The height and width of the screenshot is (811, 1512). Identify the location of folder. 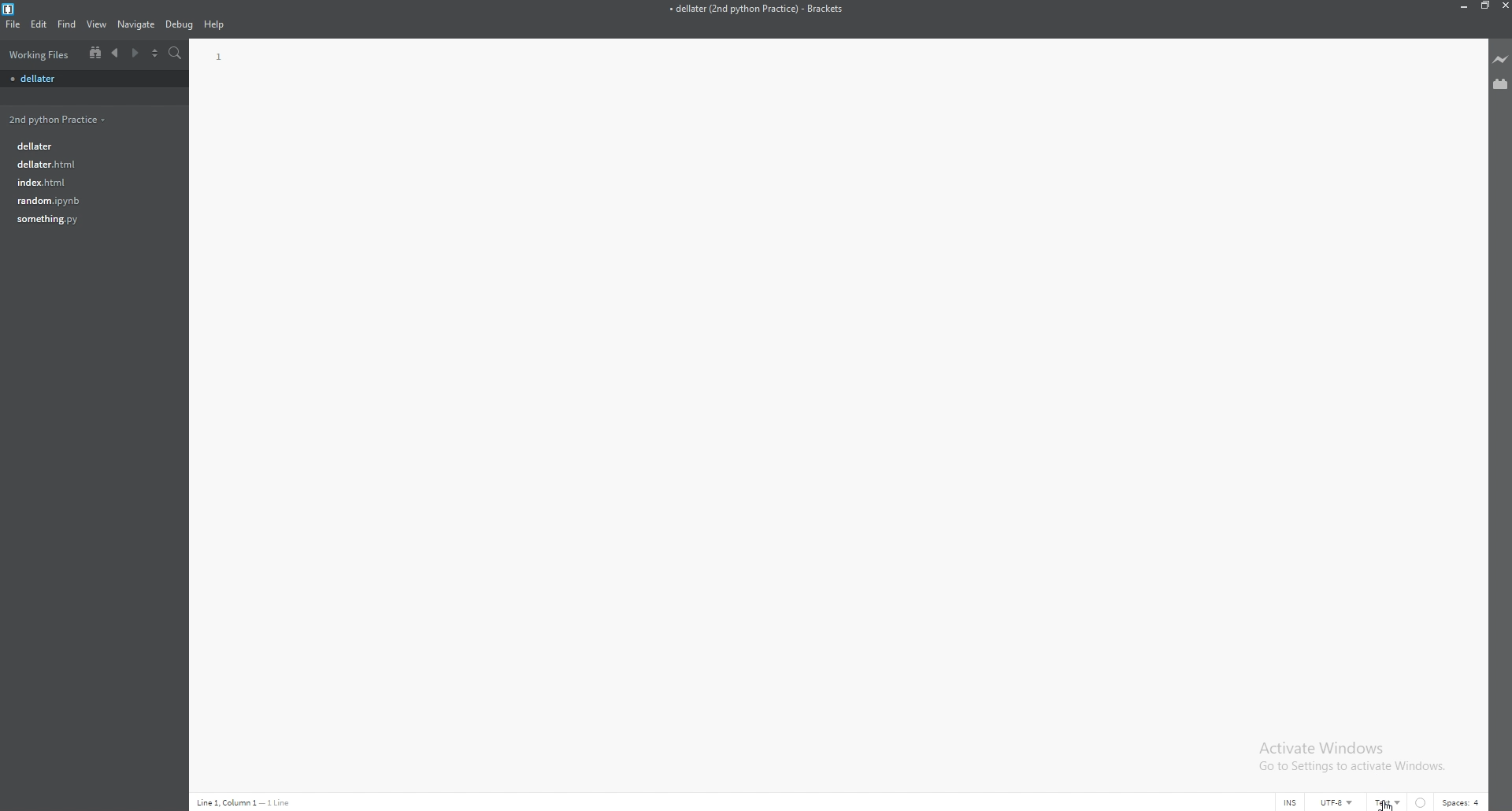
(56, 118).